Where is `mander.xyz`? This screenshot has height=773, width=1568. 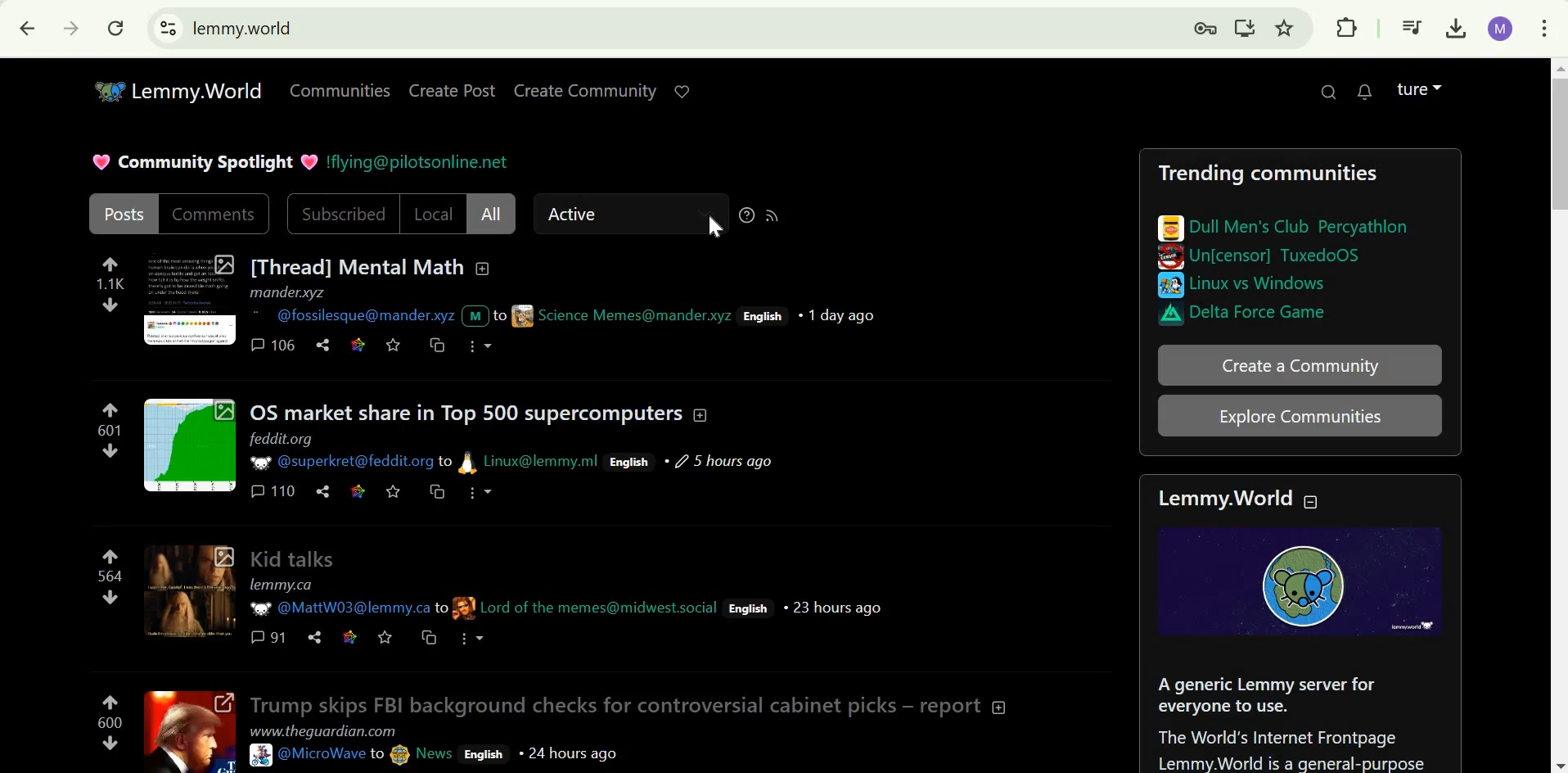 mander.xyz is located at coordinates (289, 292).